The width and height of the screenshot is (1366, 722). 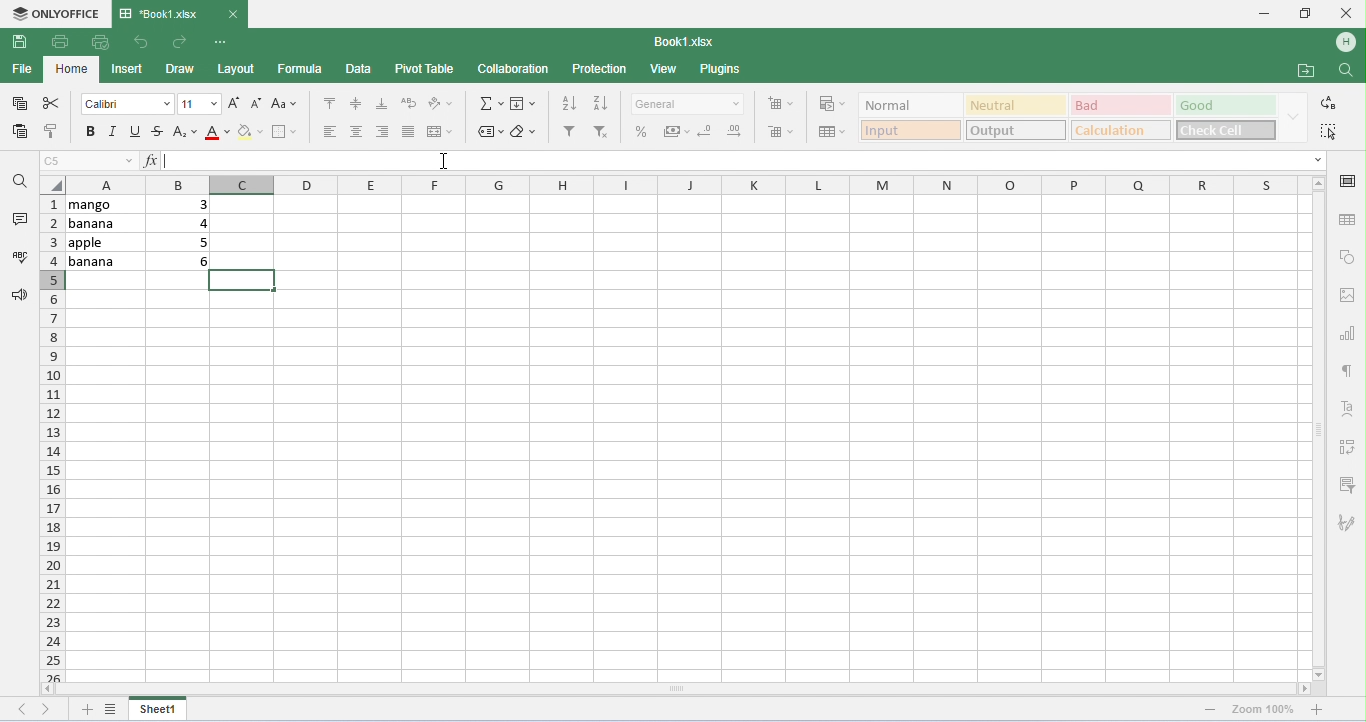 What do you see at coordinates (1331, 132) in the screenshot?
I see `select all` at bounding box center [1331, 132].